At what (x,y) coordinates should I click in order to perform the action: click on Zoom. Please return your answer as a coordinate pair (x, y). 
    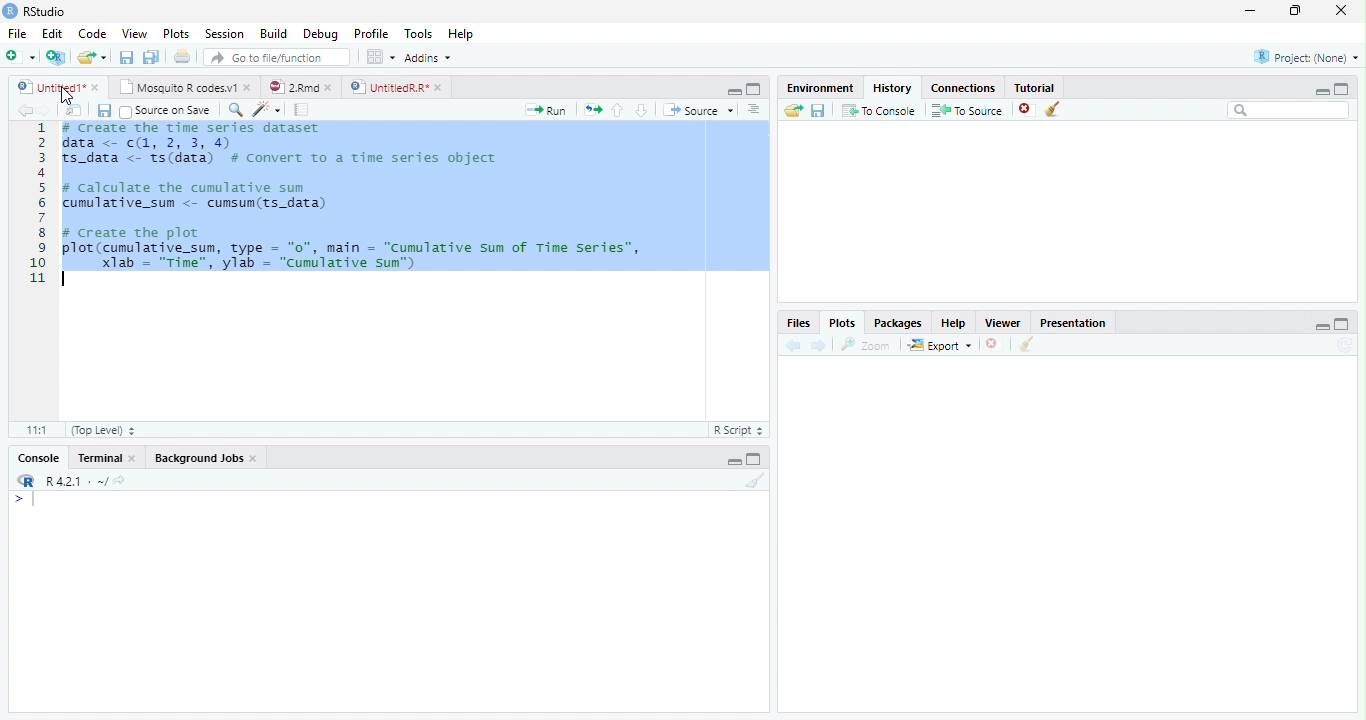
    Looking at the image, I should click on (237, 112).